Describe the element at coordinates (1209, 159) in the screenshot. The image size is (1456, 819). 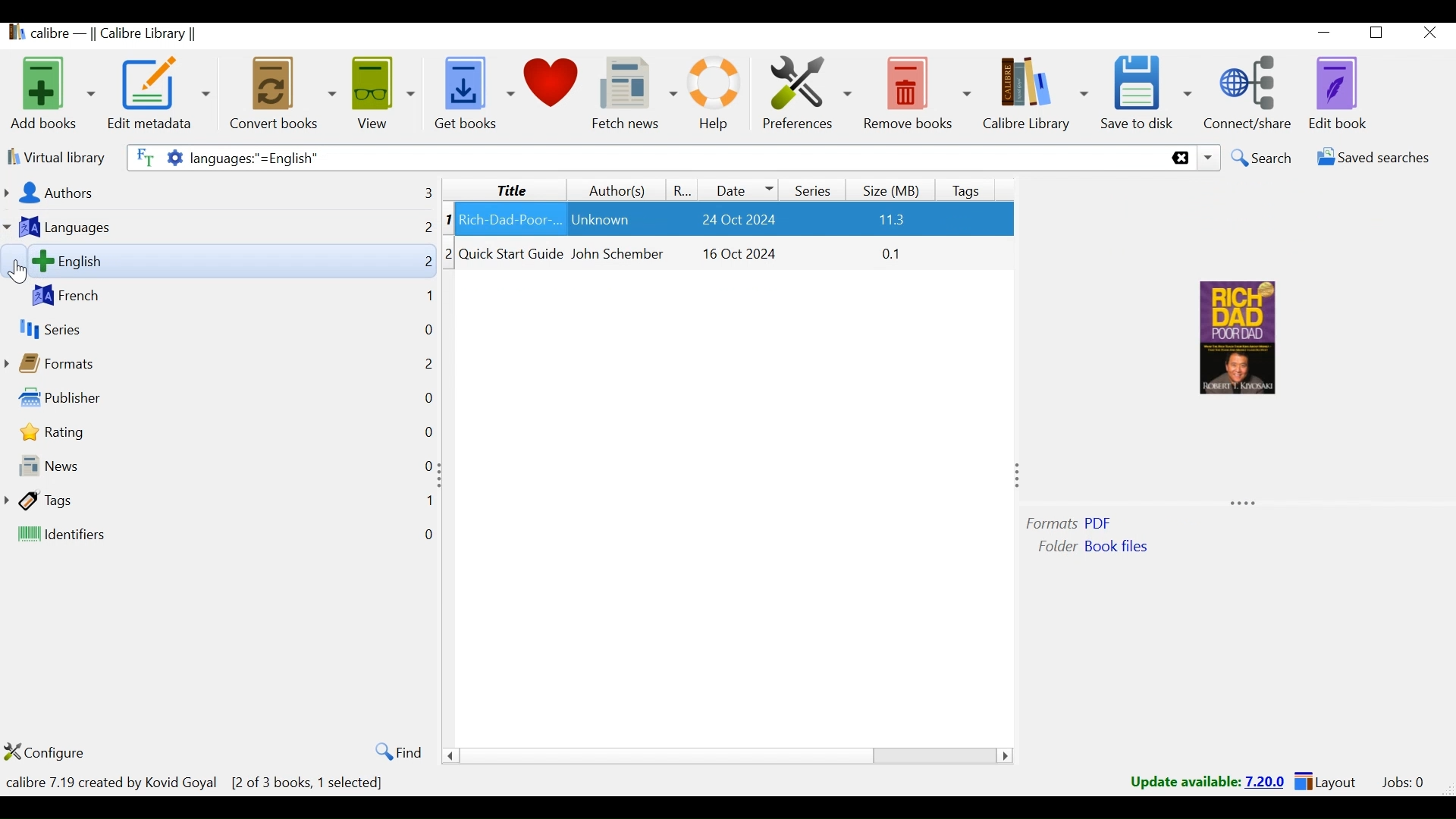
I see `Previous search` at that location.